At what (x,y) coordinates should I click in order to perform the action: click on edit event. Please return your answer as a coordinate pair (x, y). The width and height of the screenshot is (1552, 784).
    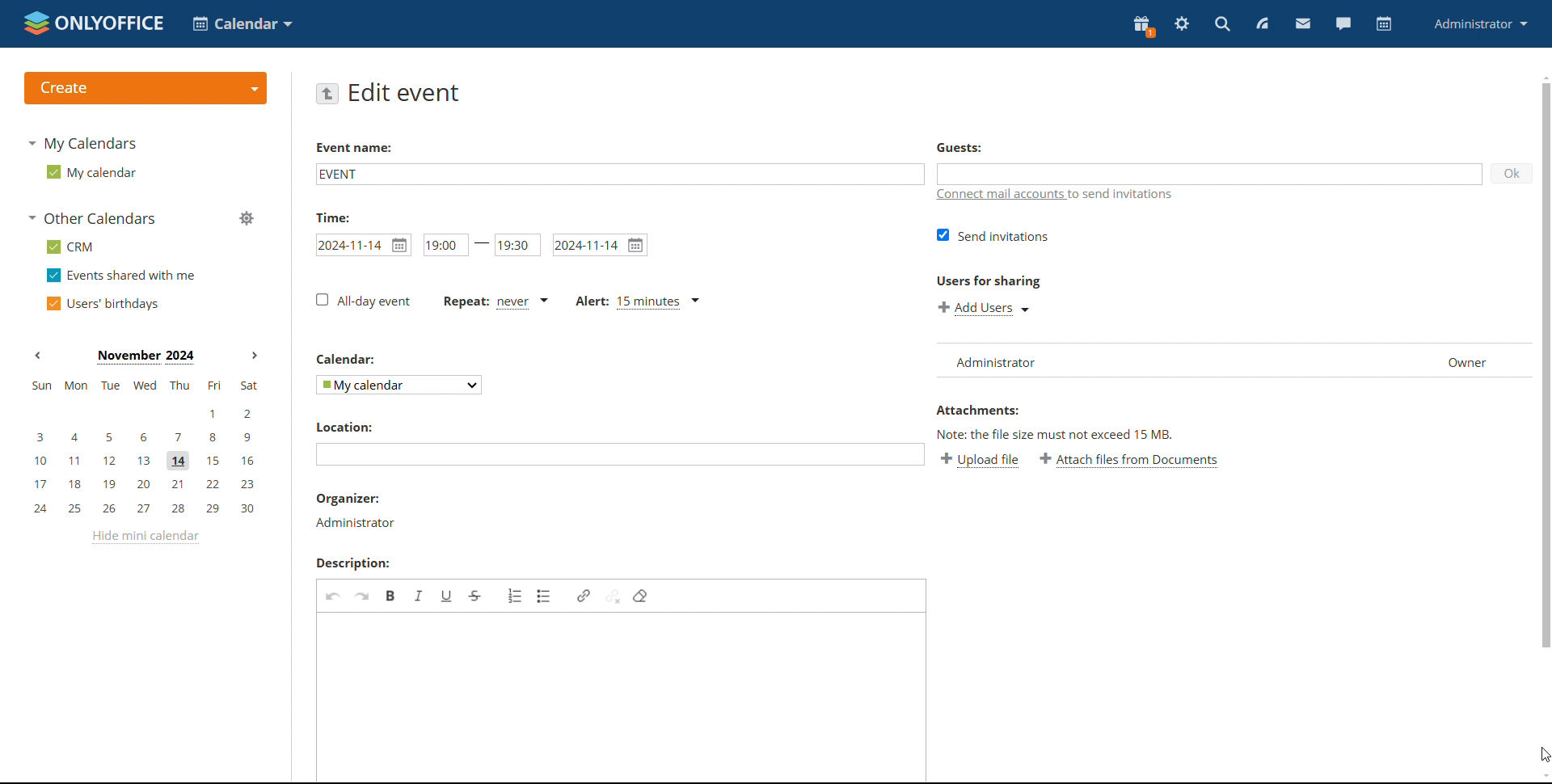
    Looking at the image, I should click on (406, 92).